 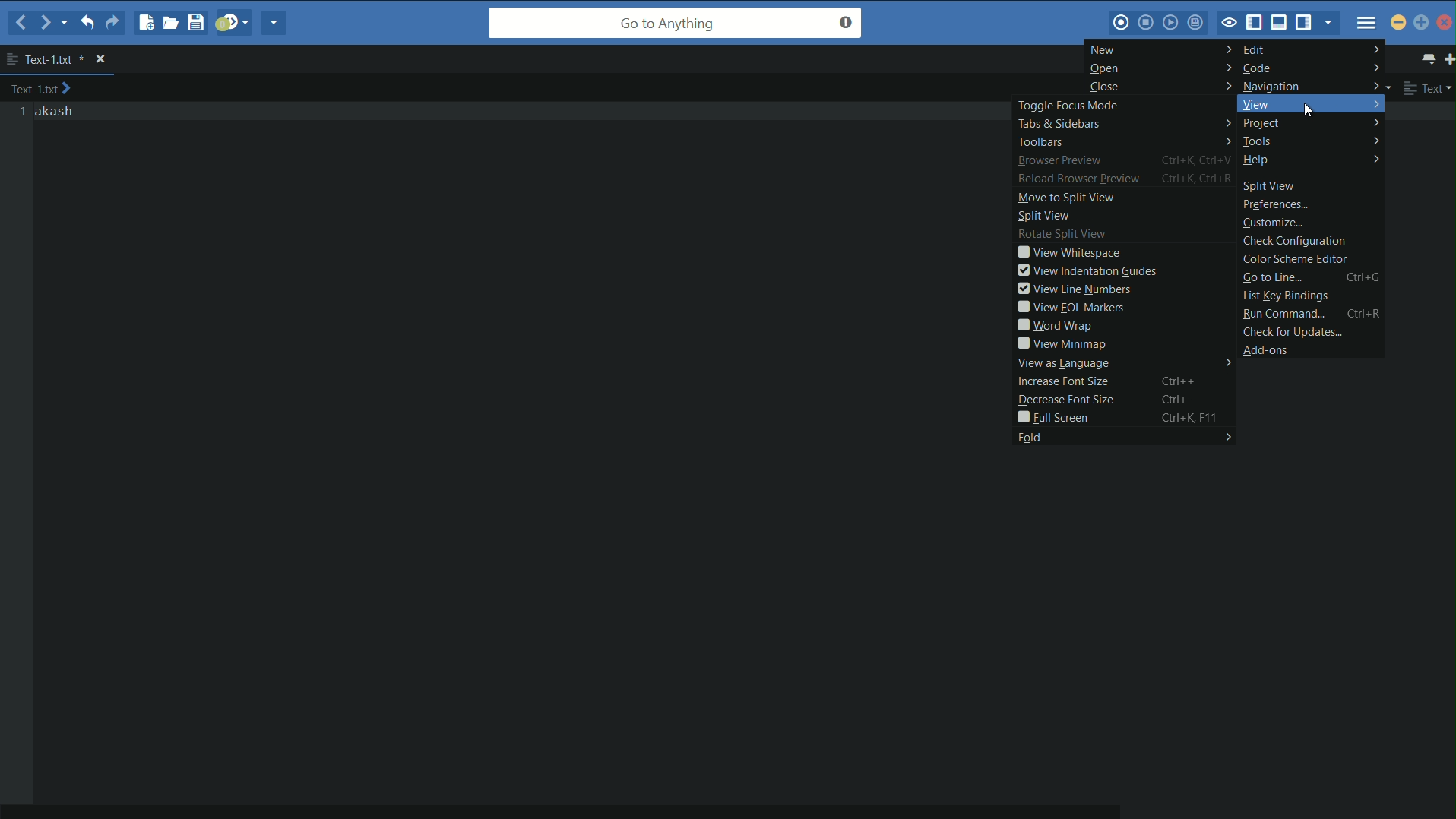 What do you see at coordinates (1123, 160) in the screenshot?
I see `browser preview` at bounding box center [1123, 160].